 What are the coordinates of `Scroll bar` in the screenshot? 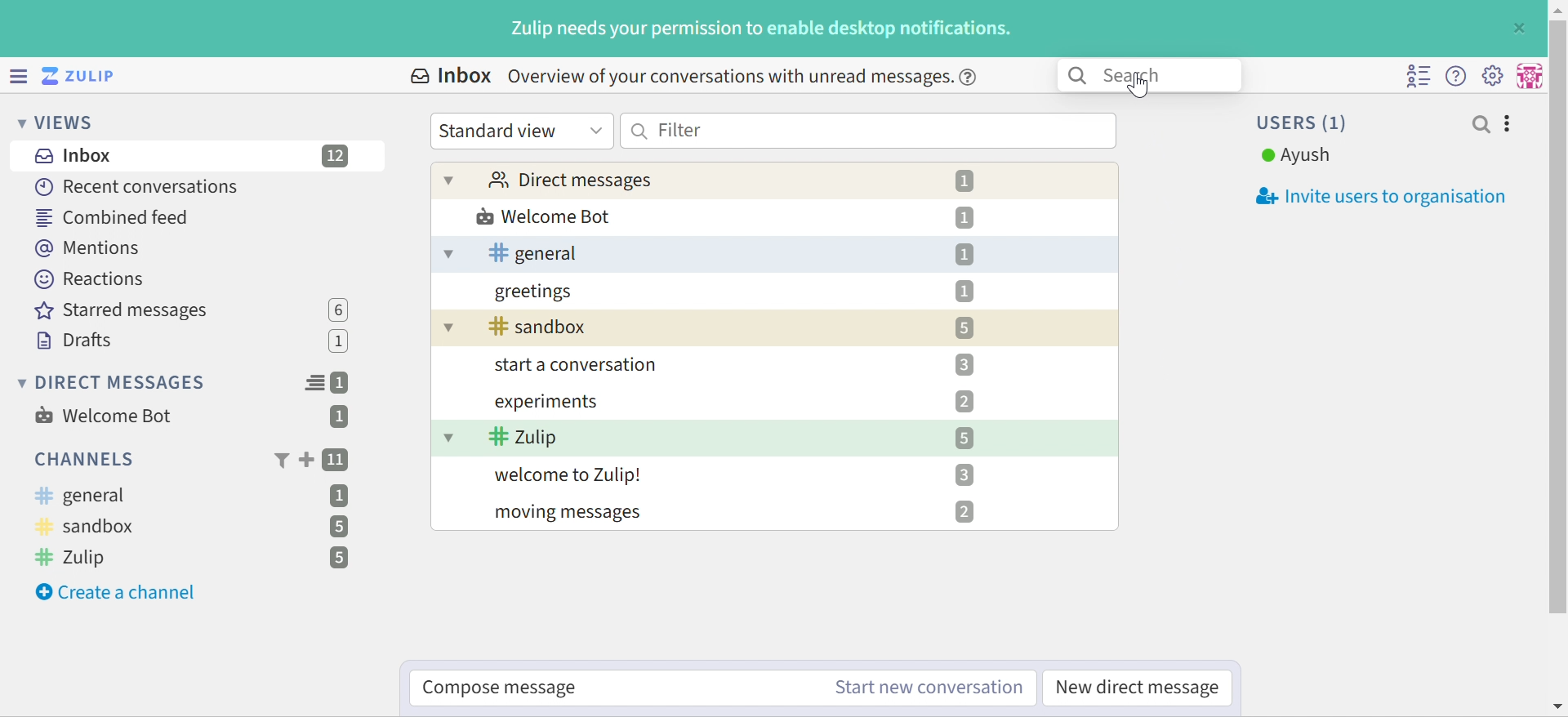 It's located at (1558, 317).